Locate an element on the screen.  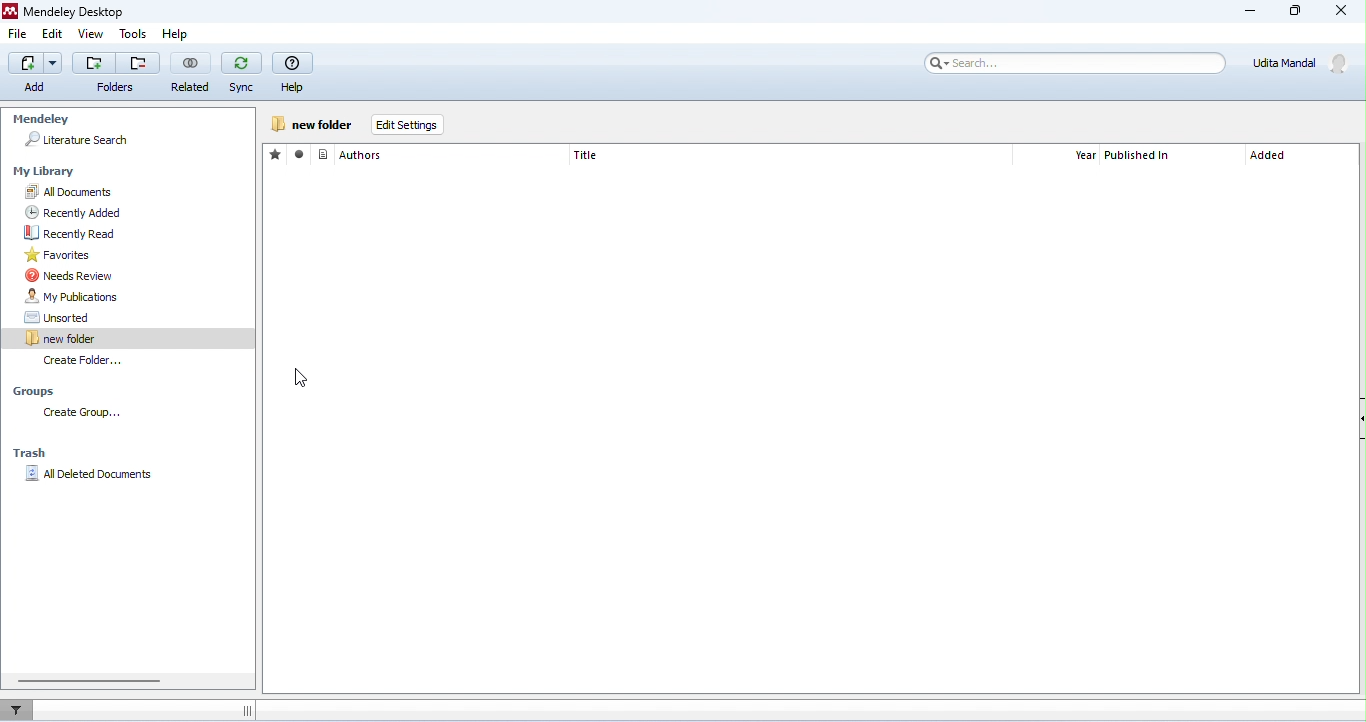
recently added is located at coordinates (134, 213).